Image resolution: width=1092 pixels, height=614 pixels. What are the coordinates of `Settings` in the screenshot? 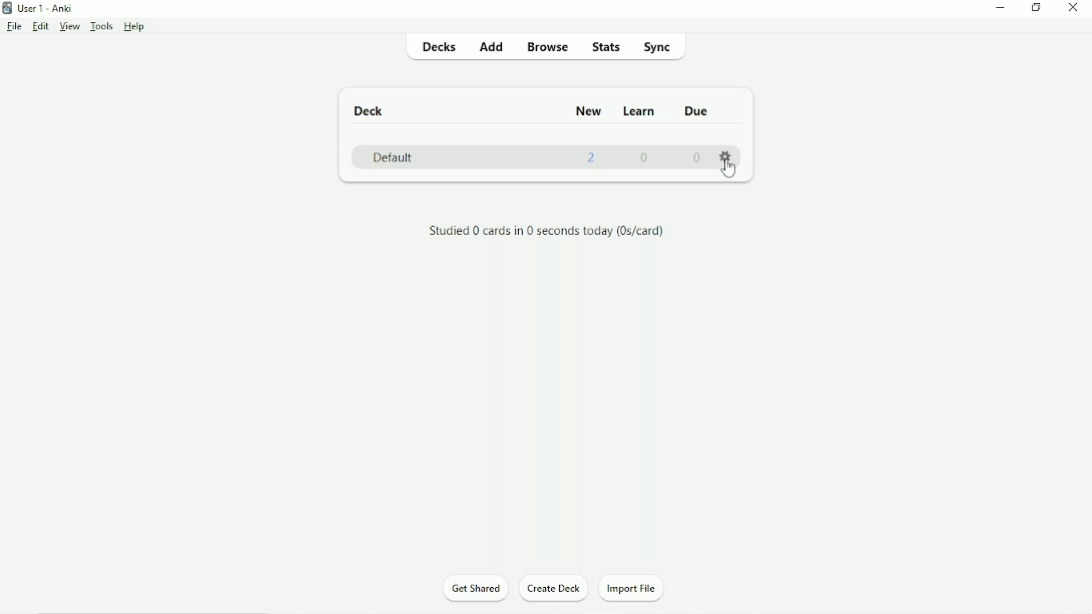 It's located at (728, 156).